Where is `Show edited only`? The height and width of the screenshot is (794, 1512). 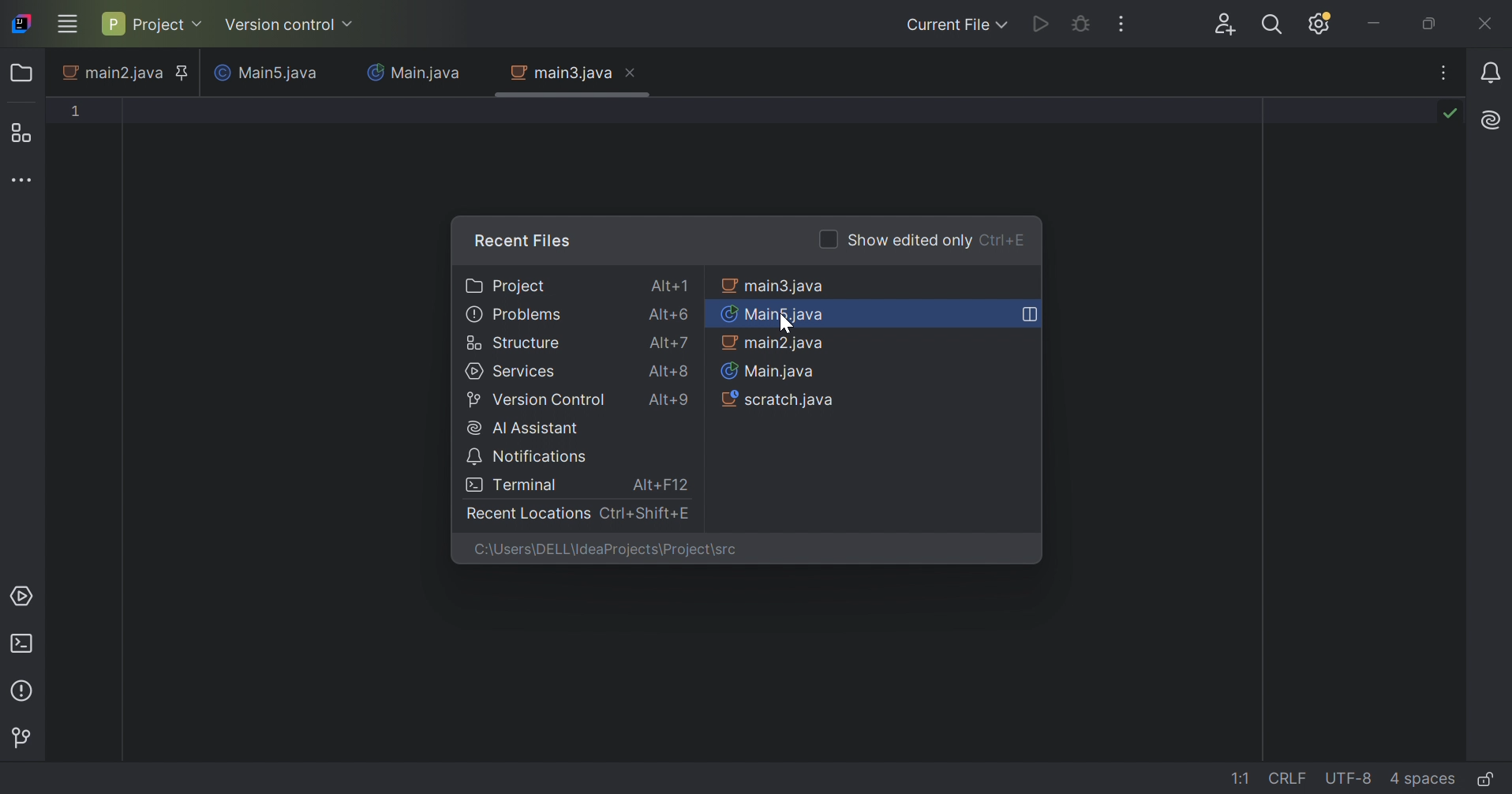 Show edited only is located at coordinates (911, 241).